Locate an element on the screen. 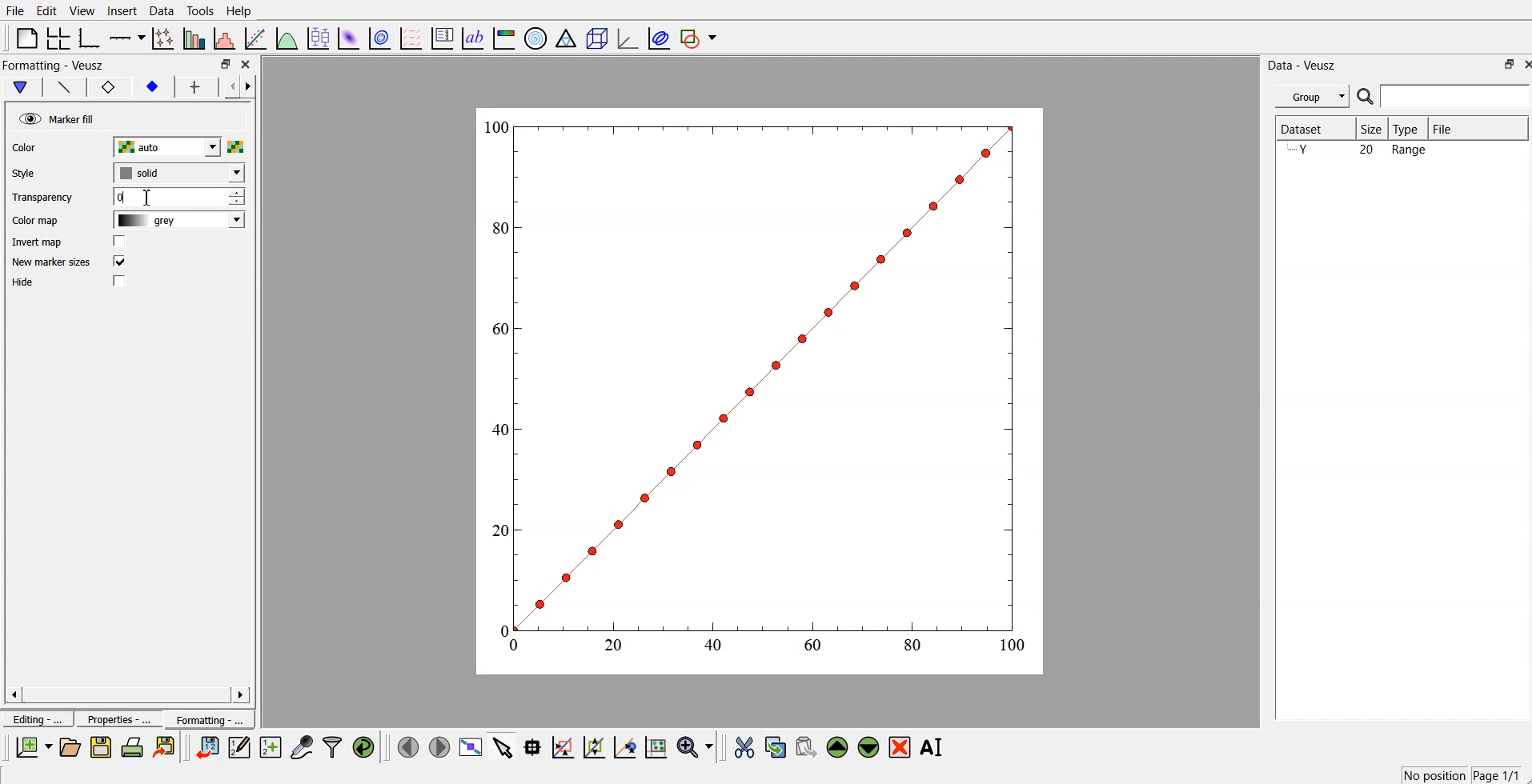 The image size is (1532, 784). copy is located at coordinates (777, 744).